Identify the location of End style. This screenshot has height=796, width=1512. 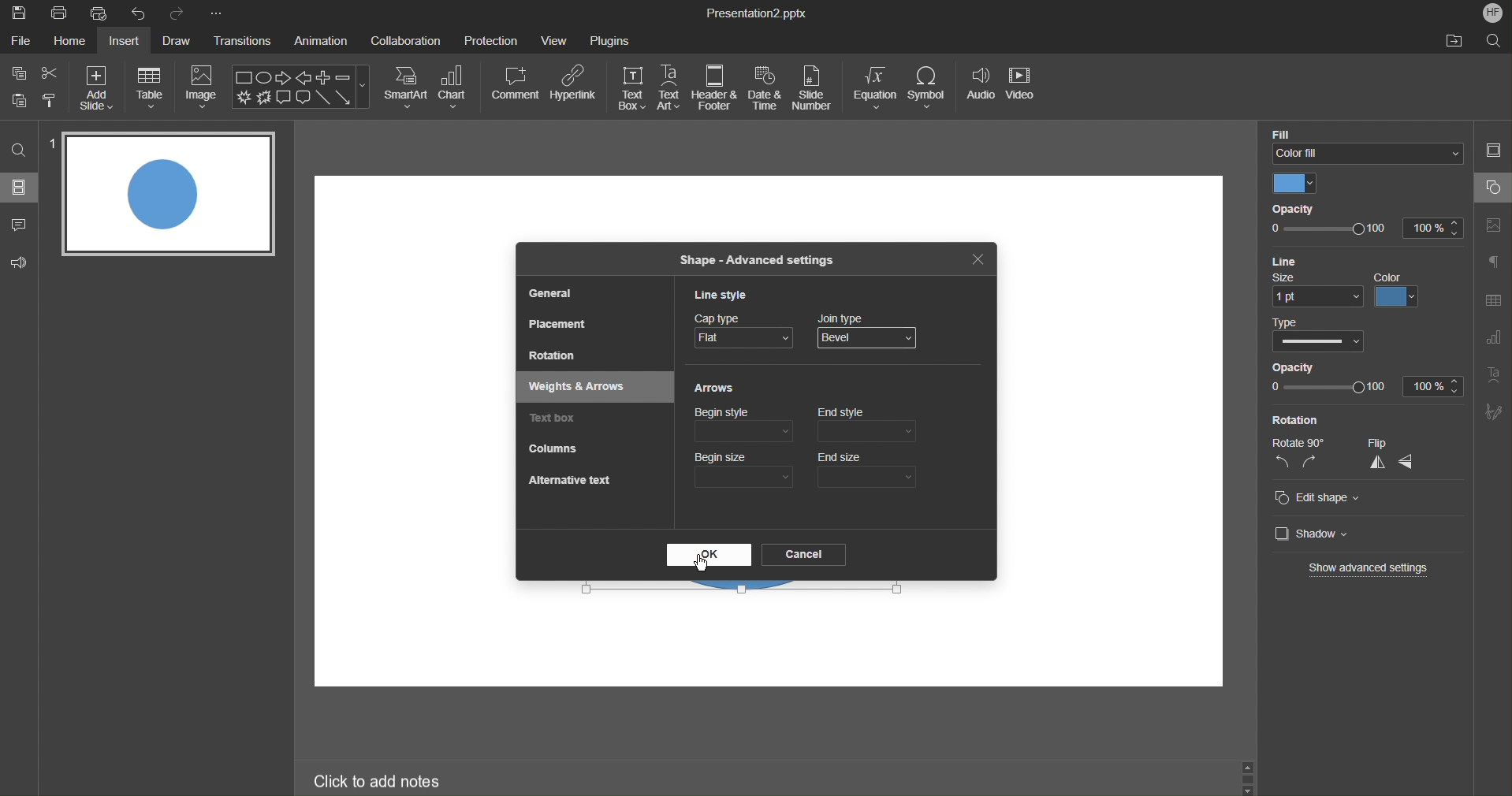
(869, 425).